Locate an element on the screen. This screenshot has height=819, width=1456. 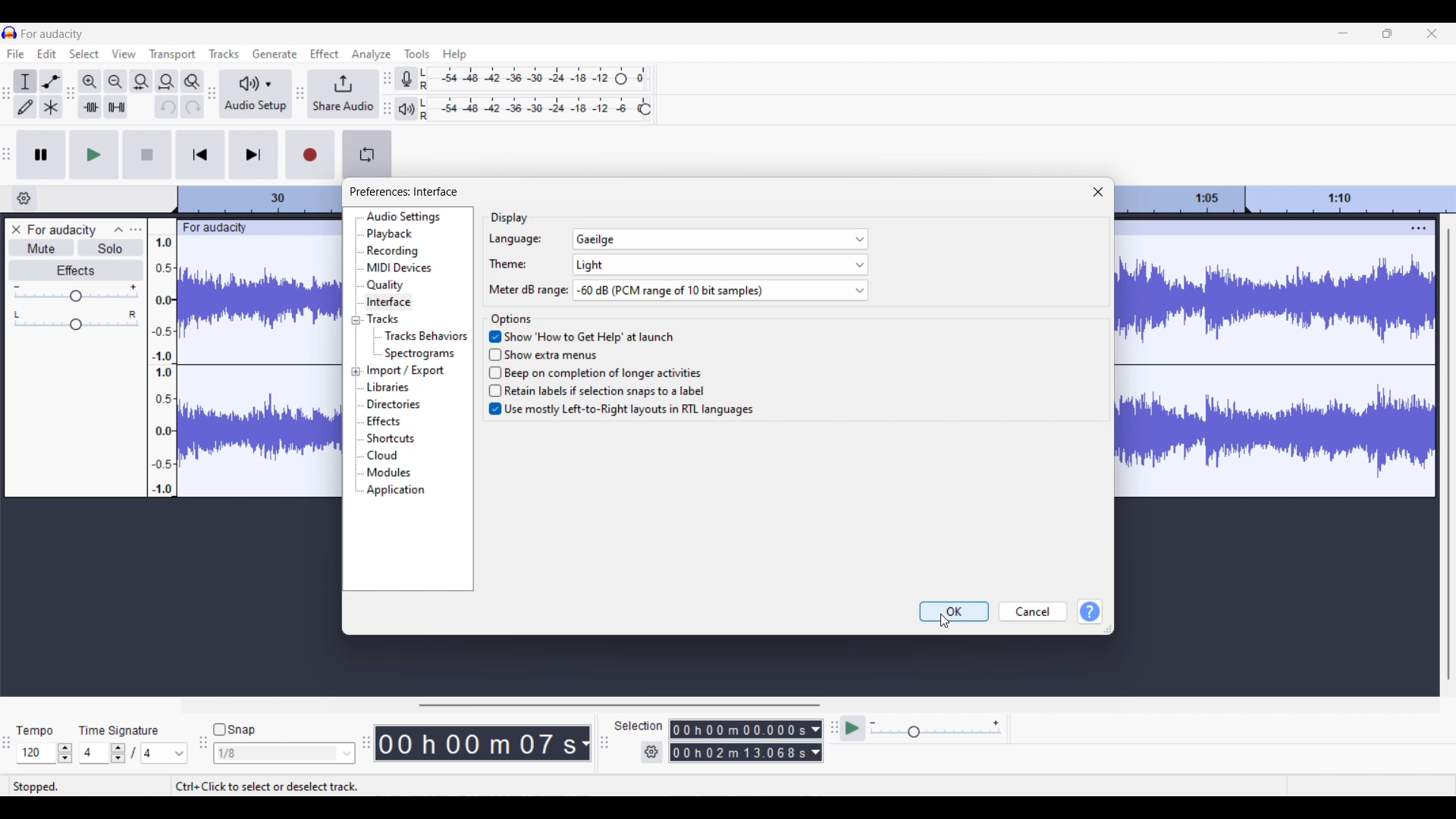
Analyze menu is located at coordinates (372, 55).